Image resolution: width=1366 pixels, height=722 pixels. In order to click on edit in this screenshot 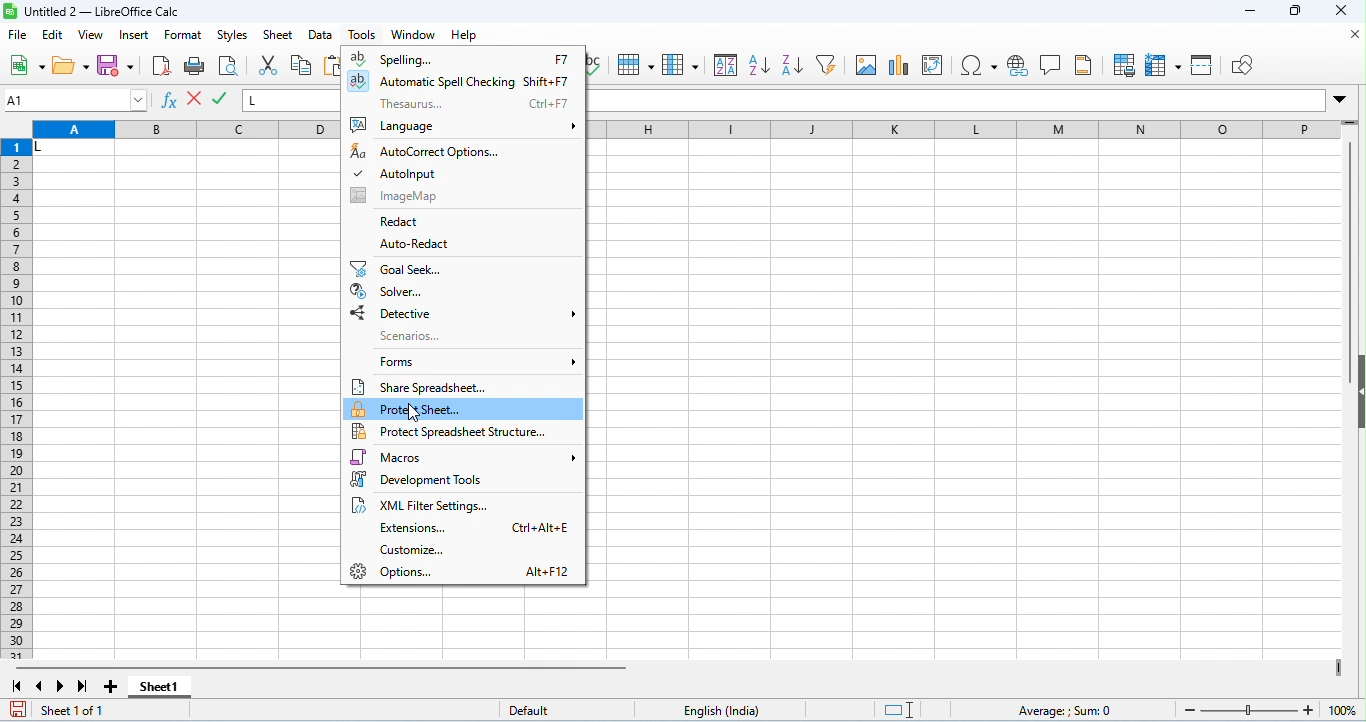, I will do `click(54, 36)`.